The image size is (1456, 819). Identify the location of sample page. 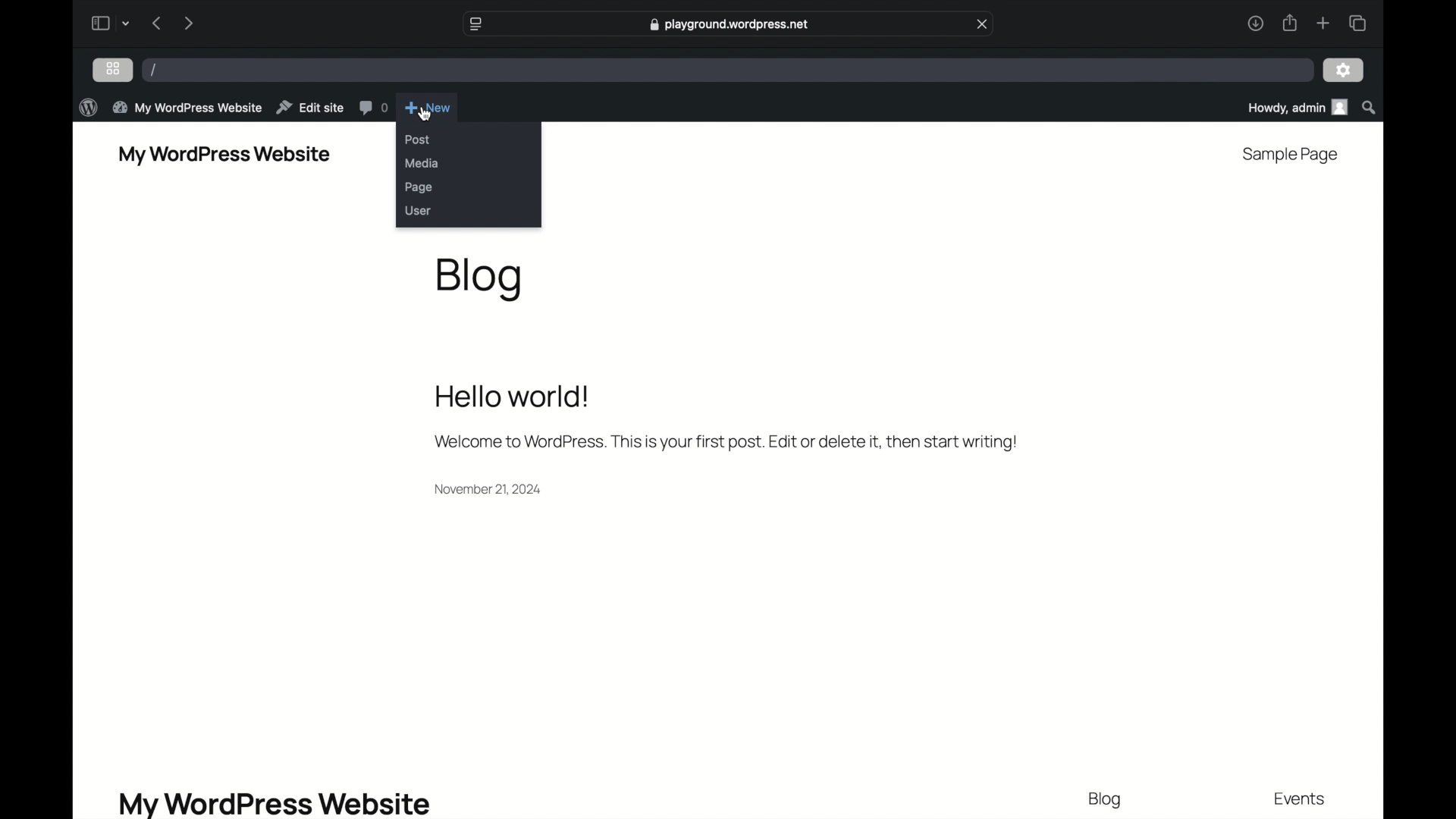
(1288, 154).